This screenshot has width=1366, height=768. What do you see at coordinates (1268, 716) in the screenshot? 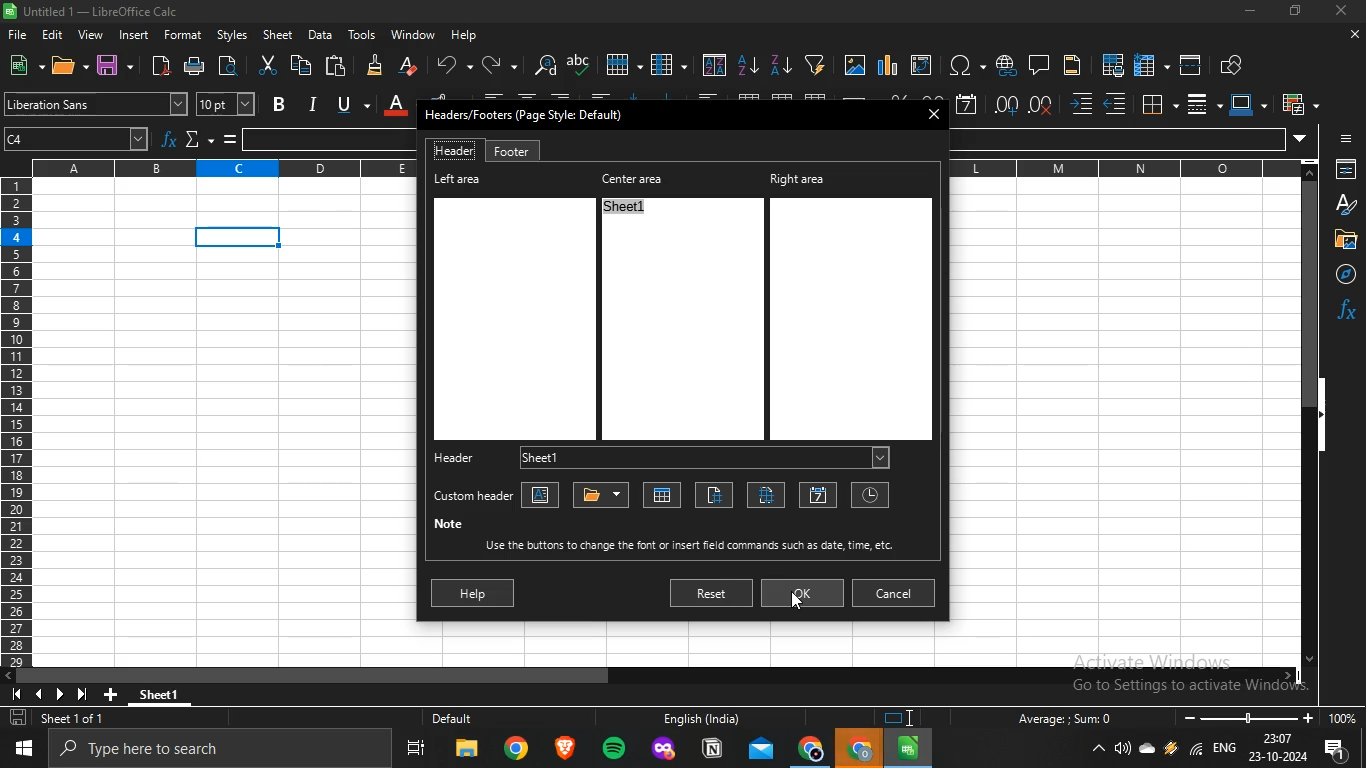
I see `oom` at bounding box center [1268, 716].